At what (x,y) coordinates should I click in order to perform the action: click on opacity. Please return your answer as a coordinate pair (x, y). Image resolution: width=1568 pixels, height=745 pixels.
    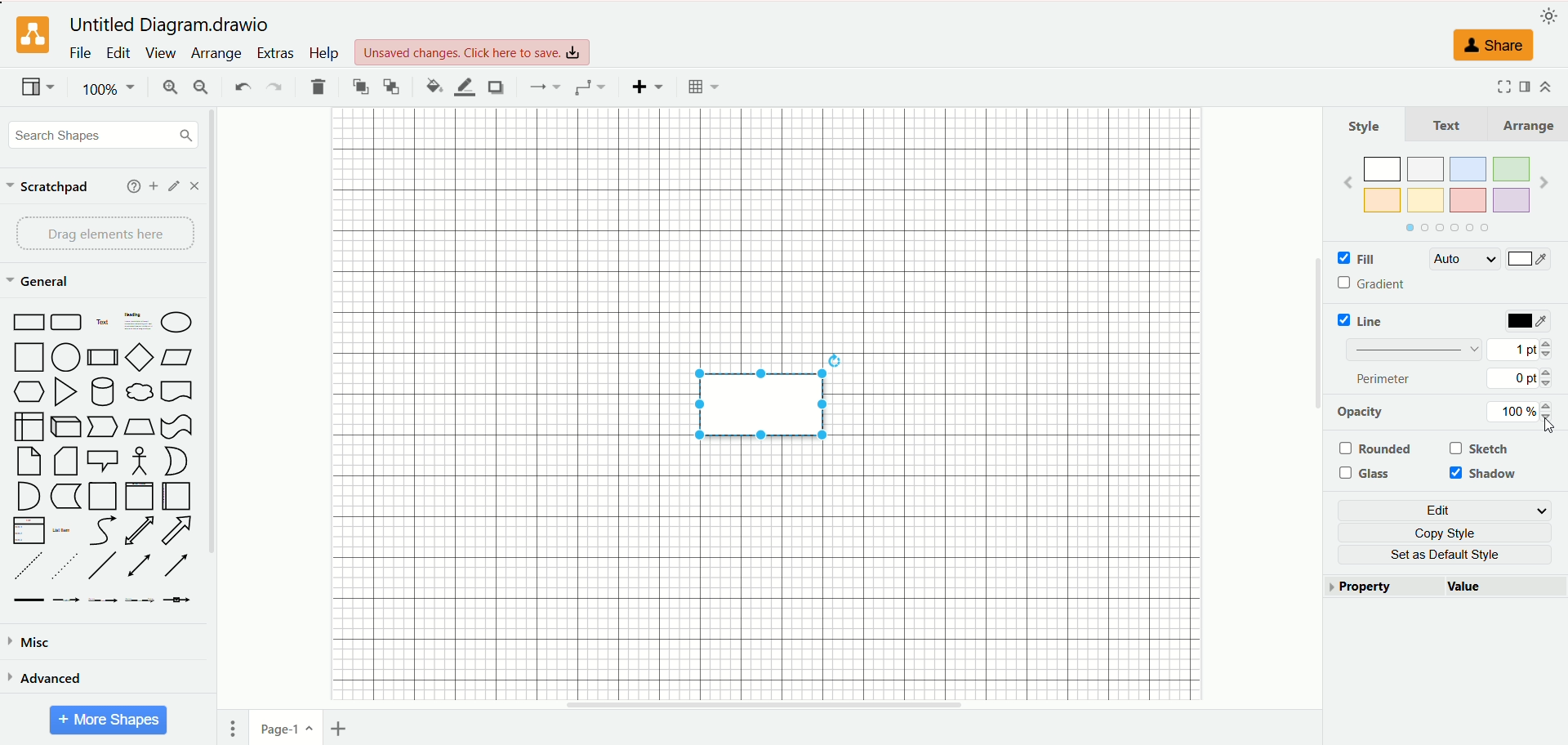
    Looking at the image, I should click on (1361, 412).